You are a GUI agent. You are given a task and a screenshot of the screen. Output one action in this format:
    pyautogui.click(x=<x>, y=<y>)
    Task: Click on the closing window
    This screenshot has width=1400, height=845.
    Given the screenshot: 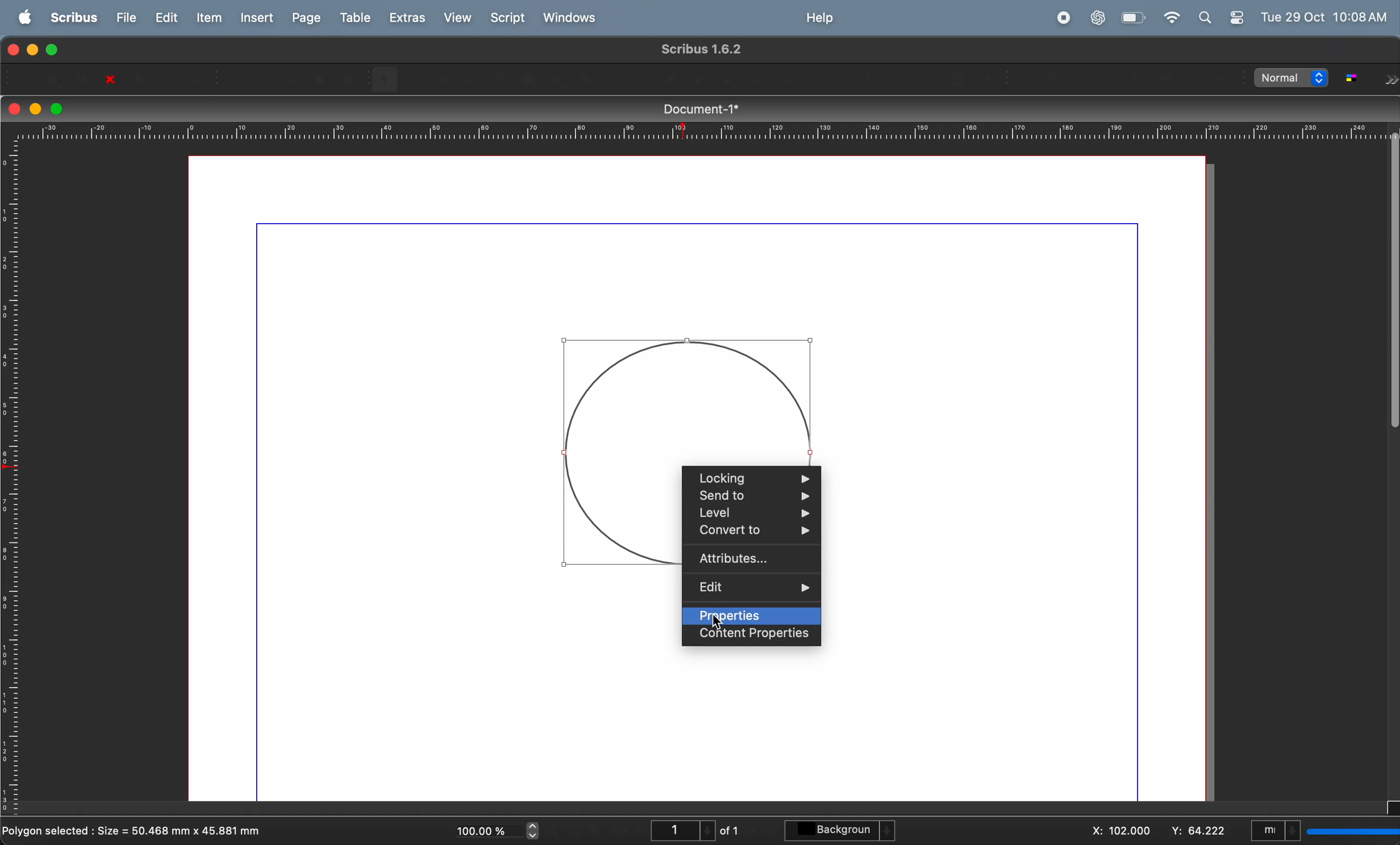 What is the action you would take?
    pyautogui.click(x=14, y=108)
    